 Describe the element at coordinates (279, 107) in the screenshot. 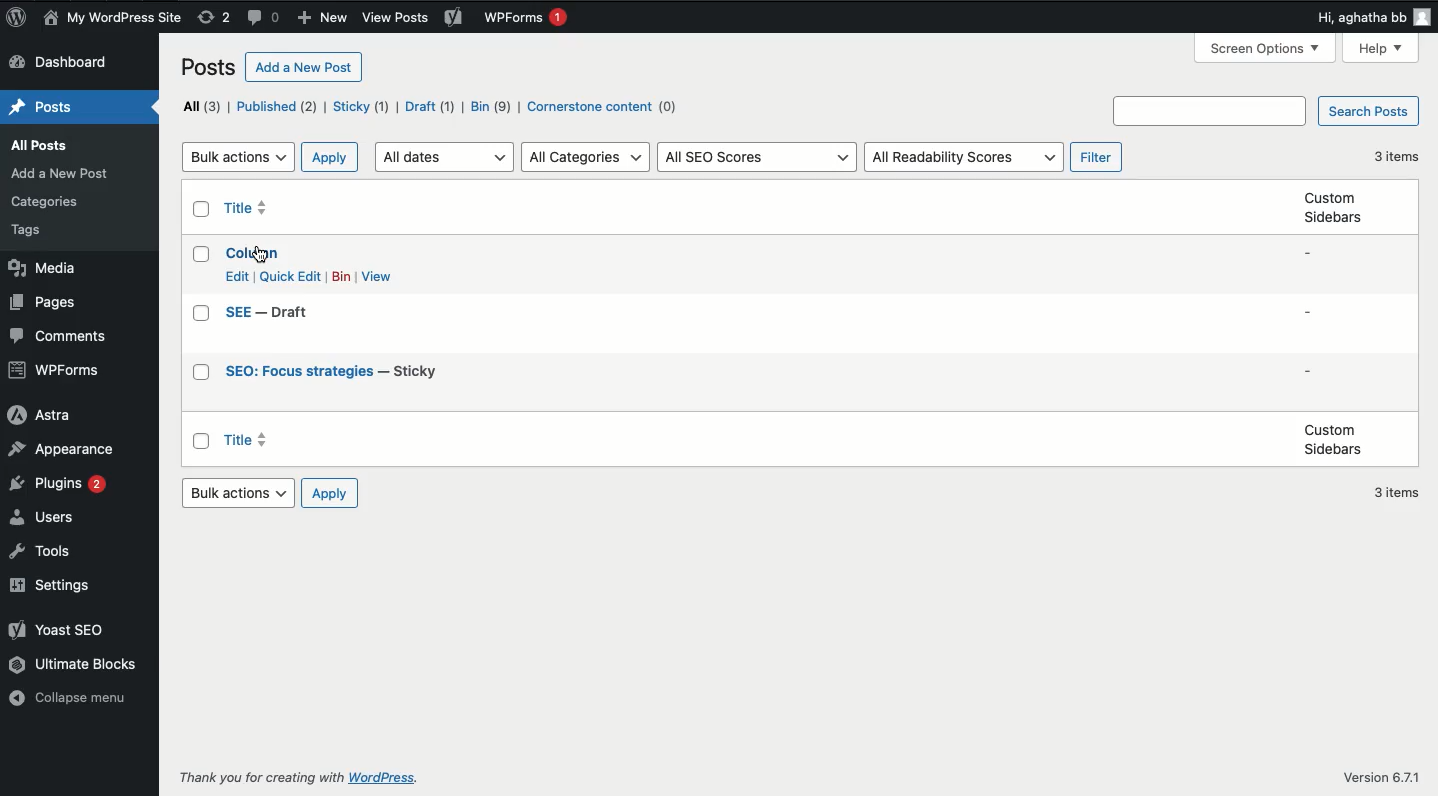

I see `Published` at that location.